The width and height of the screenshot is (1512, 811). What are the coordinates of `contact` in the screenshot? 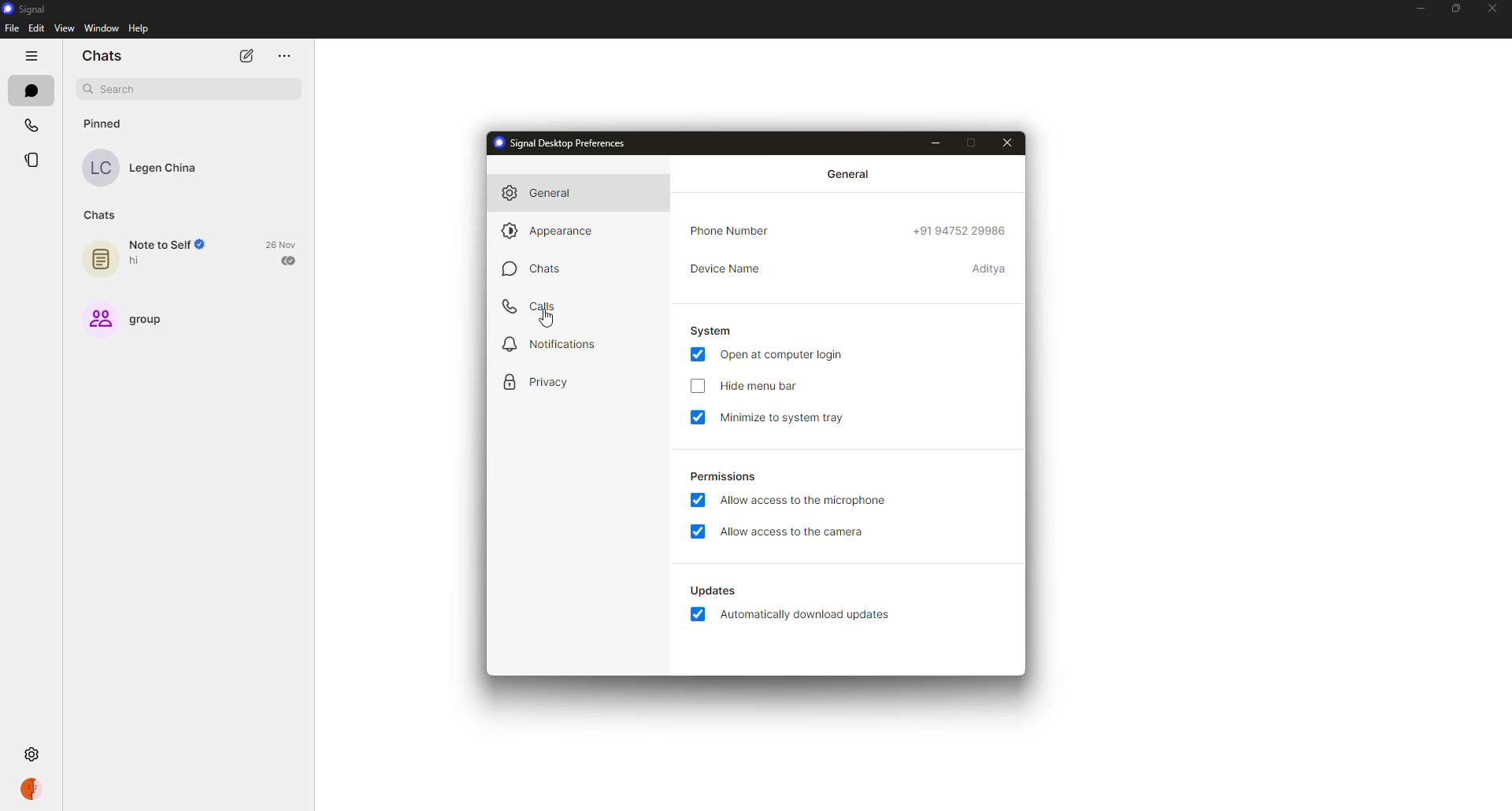 It's located at (144, 168).